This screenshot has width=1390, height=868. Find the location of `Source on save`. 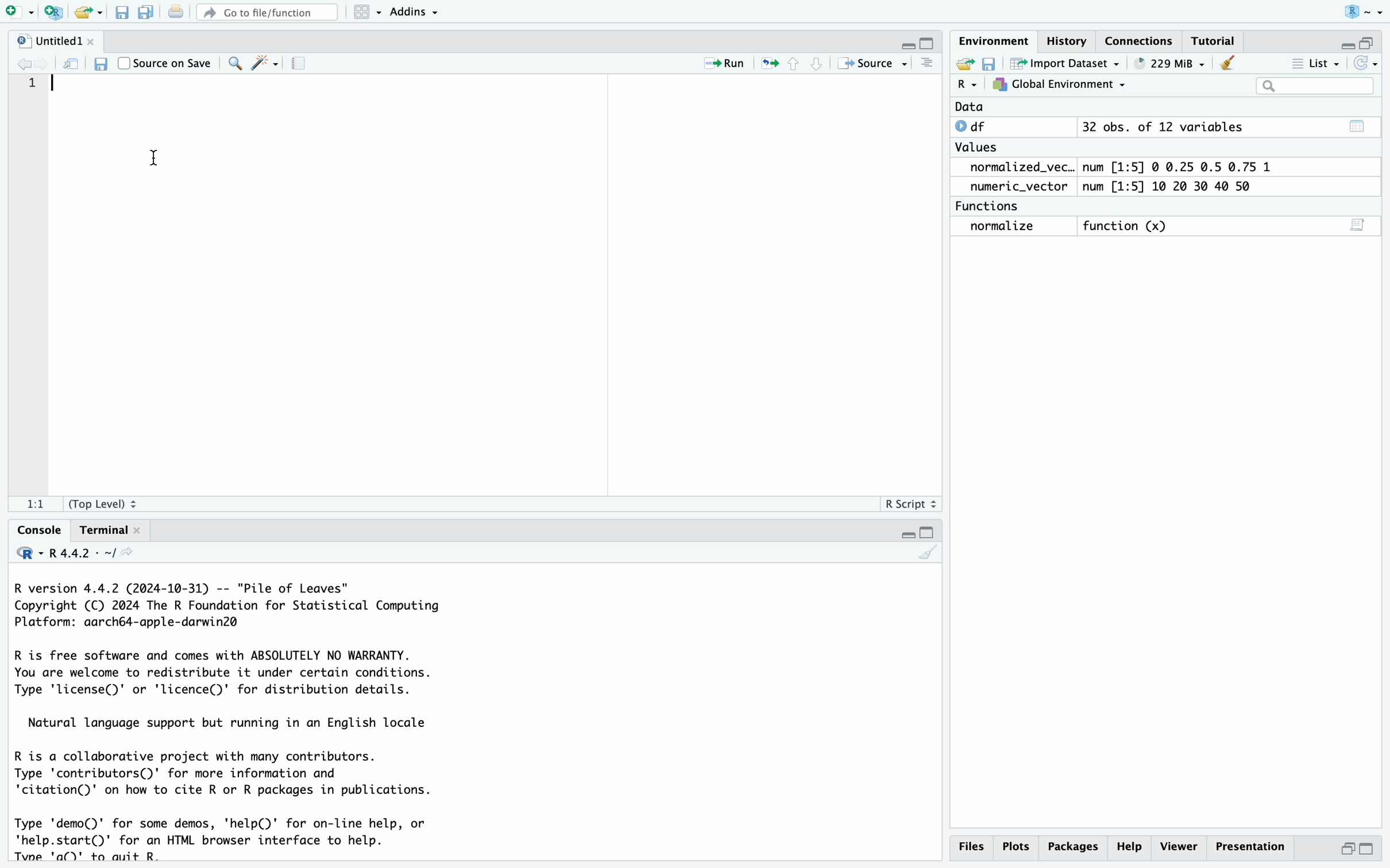

Source on save is located at coordinates (165, 63).